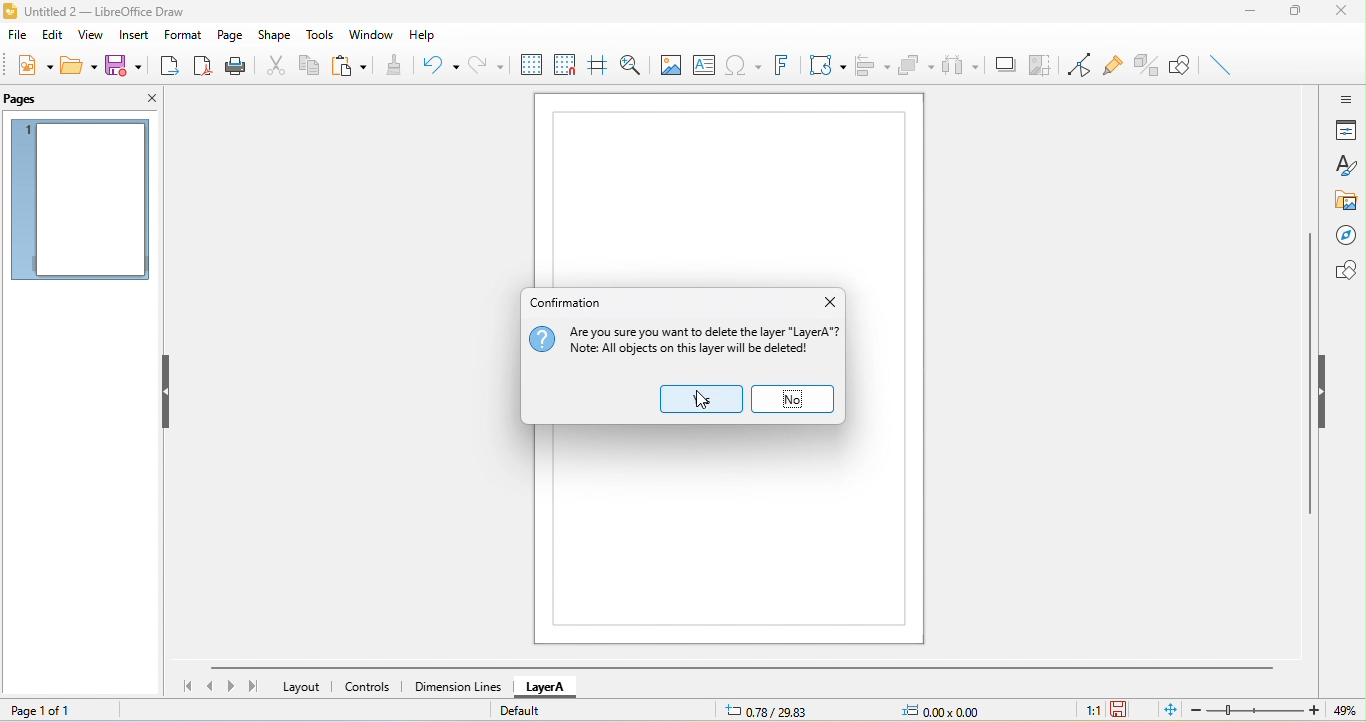 The width and height of the screenshot is (1366, 722). Describe the element at coordinates (556, 687) in the screenshot. I see `layer` at that location.